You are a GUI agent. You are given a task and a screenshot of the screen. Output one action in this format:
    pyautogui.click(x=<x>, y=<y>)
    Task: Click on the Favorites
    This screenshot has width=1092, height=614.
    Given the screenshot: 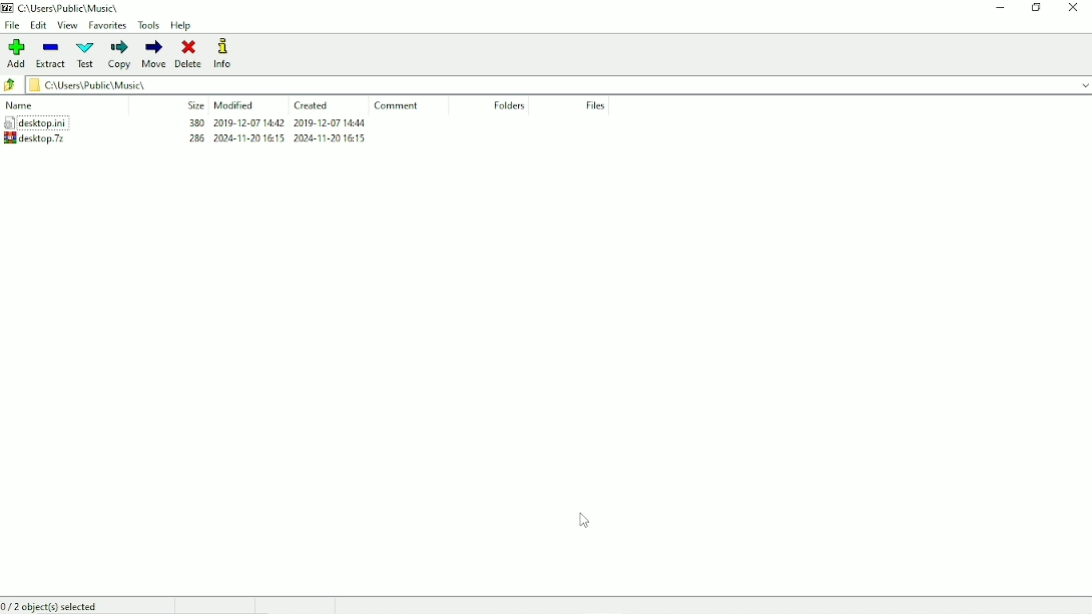 What is the action you would take?
    pyautogui.click(x=108, y=25)
    